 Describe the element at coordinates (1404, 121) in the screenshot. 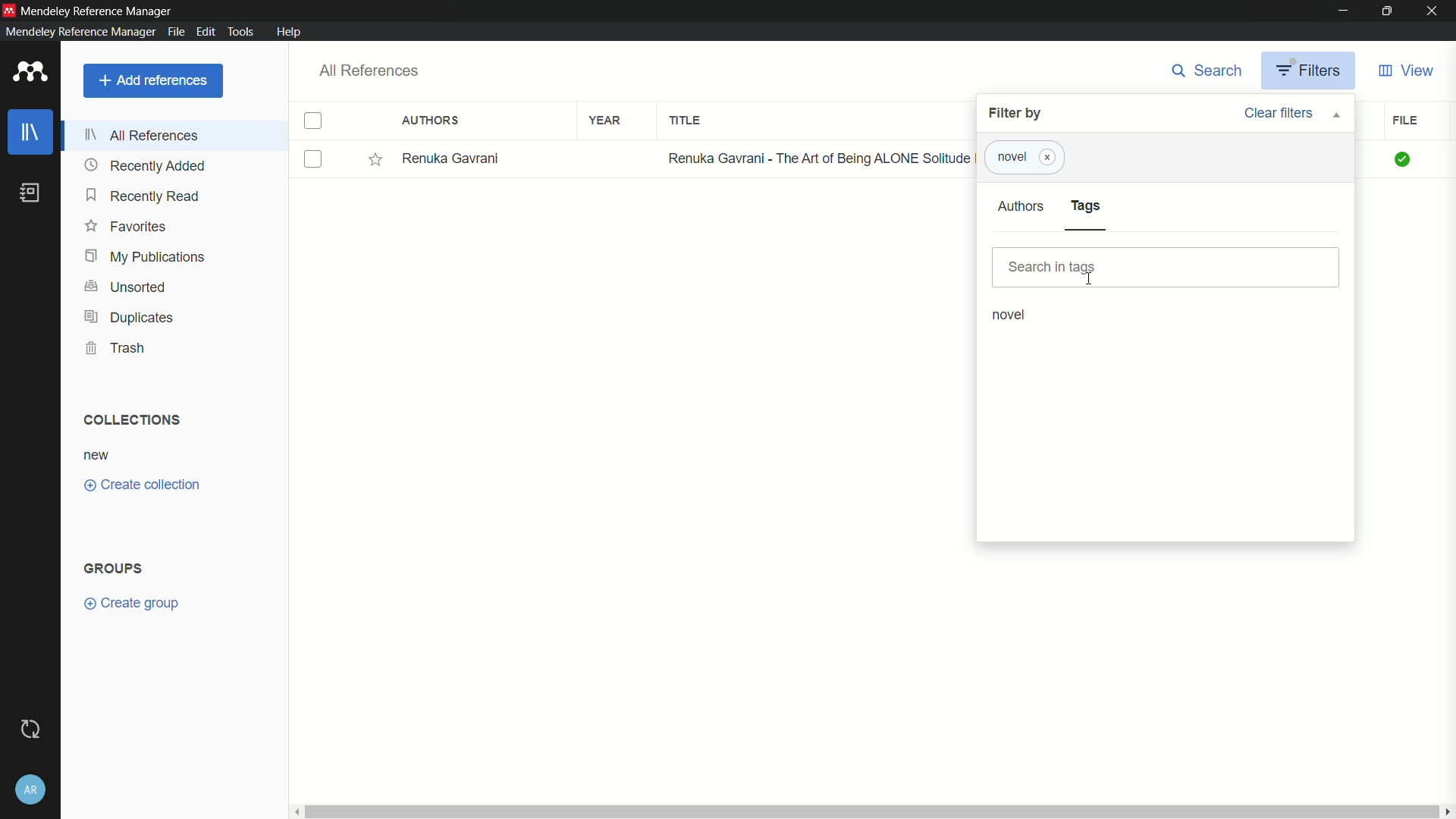

I see `file` at that location.